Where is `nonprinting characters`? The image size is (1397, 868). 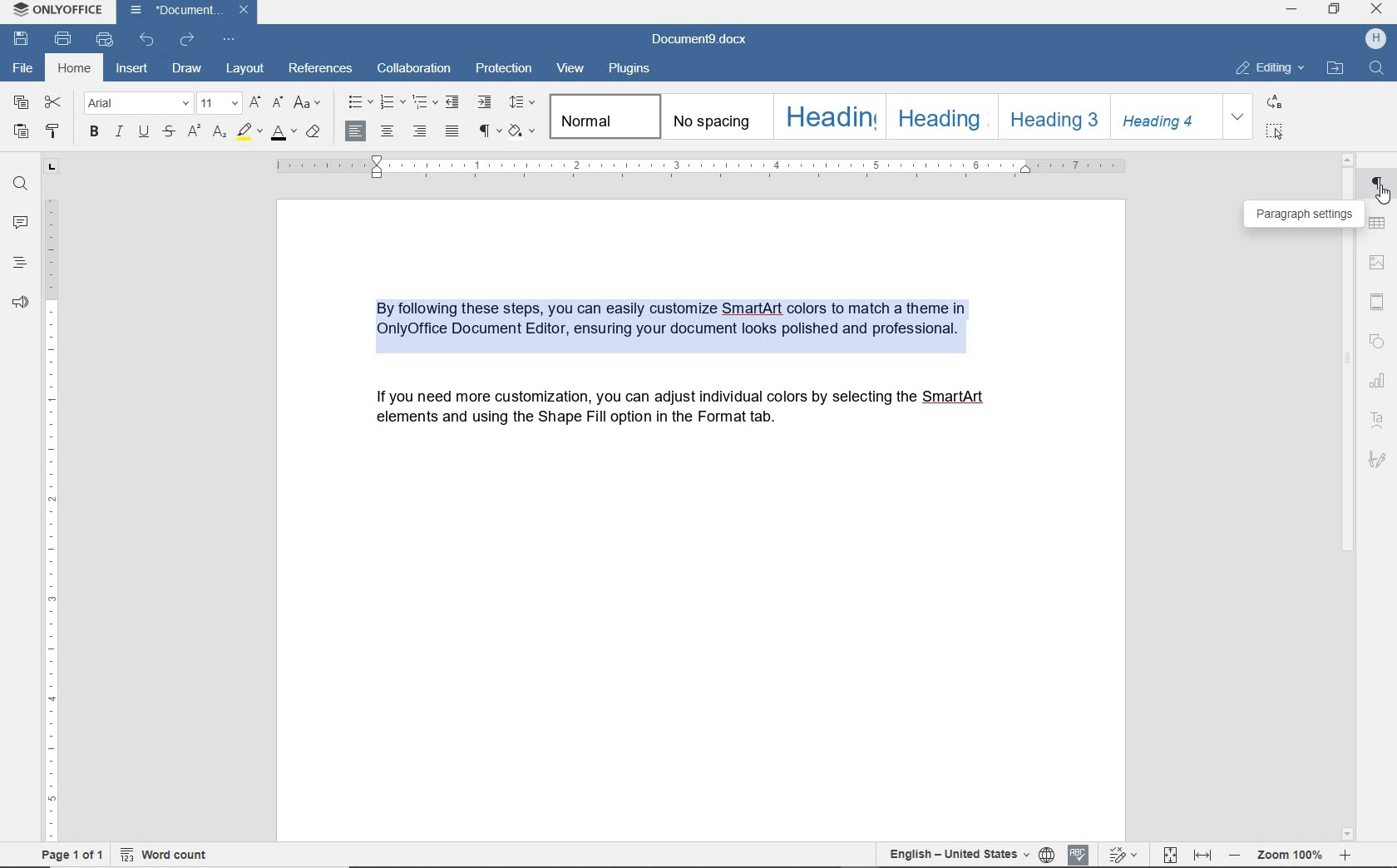
nonprinting characters is located at coordinates (490, 132).